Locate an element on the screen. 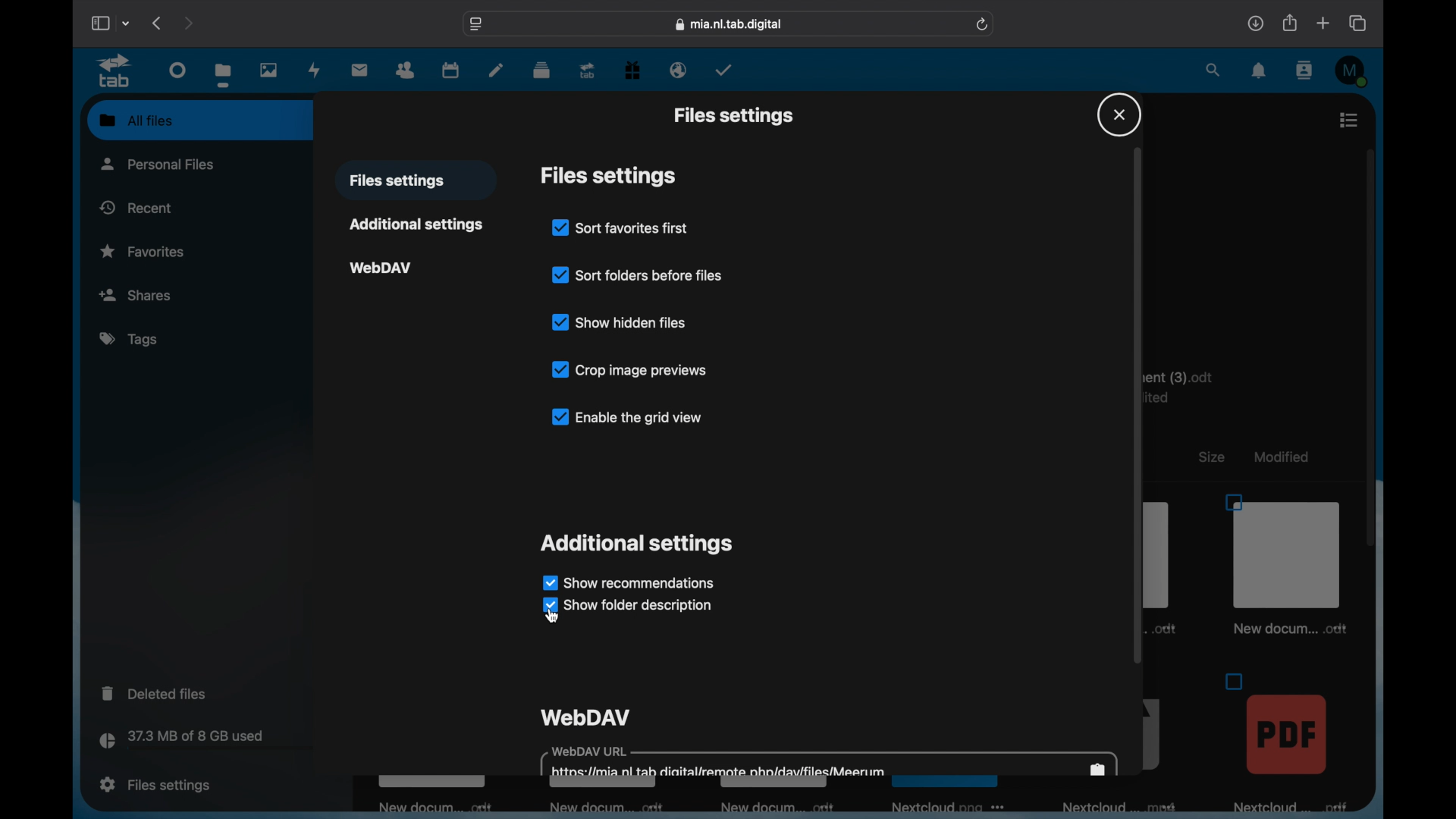 This screenshot has height=819, width=1456. modified is located at coordinates (1280, 457).